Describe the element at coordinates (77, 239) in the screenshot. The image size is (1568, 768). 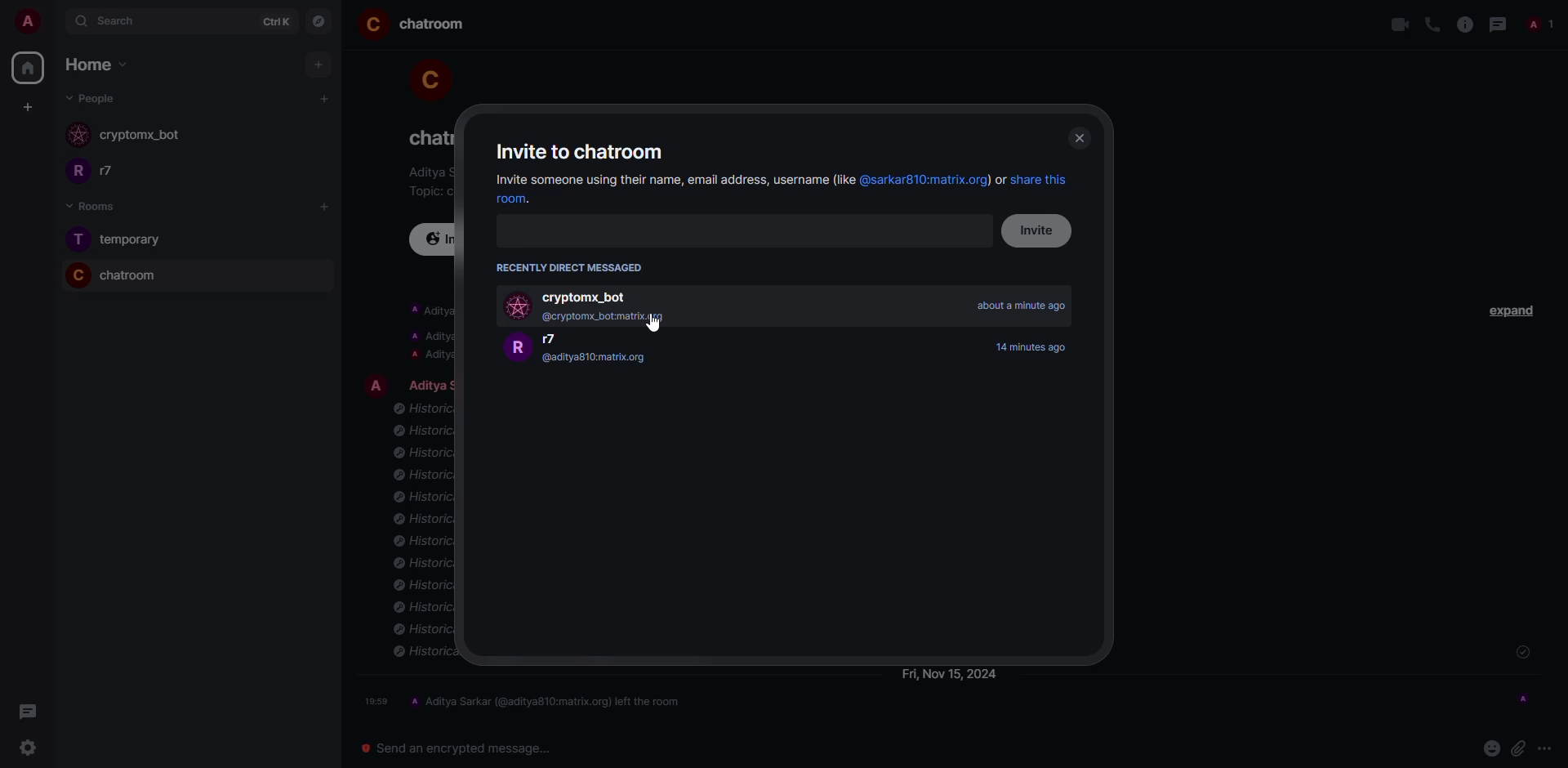
I see `profile` at that location.